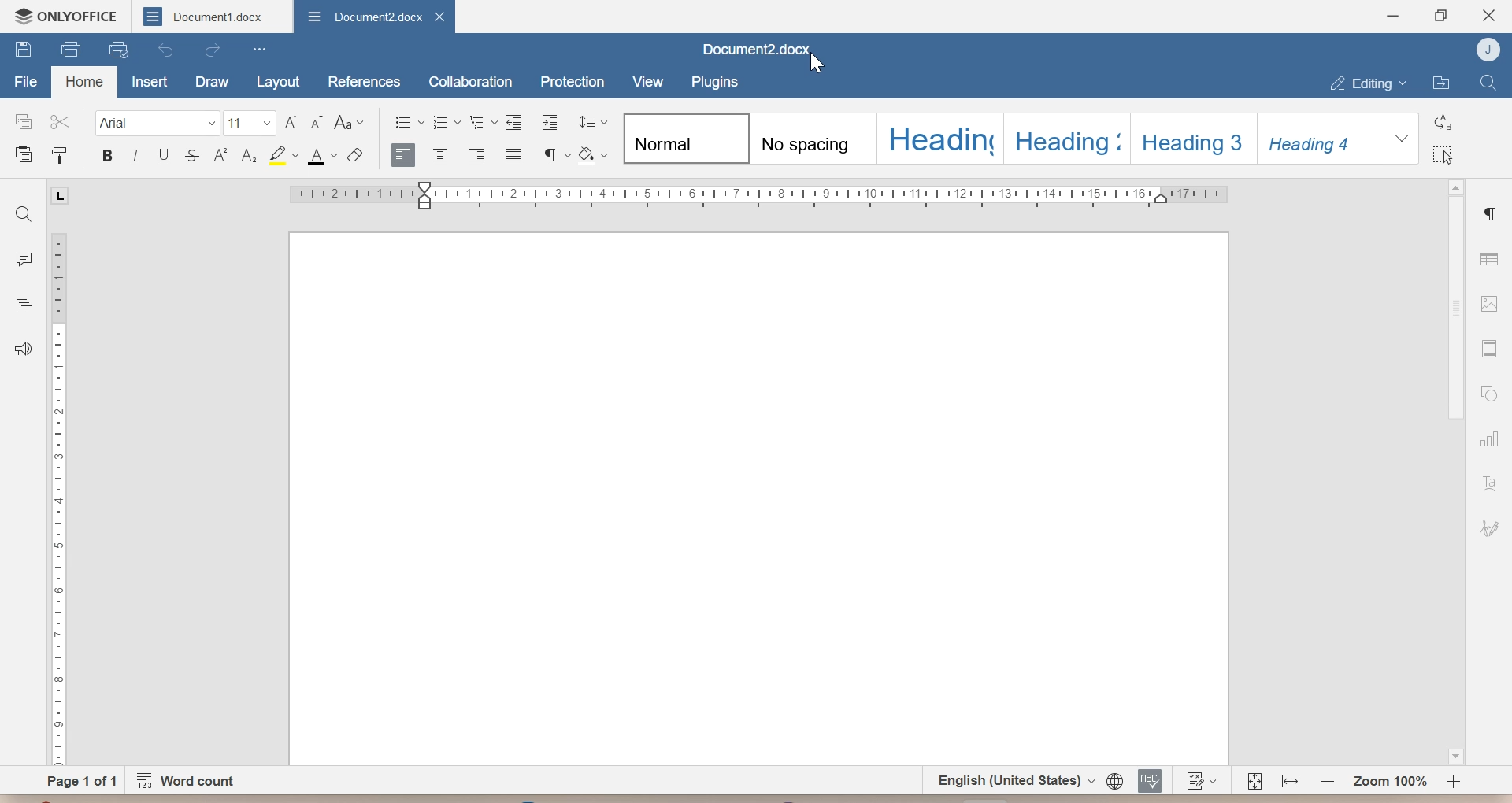 Image resolution: width=1512 pixels, height=803 pixels. What do you see at coordinates (1492, 529) in the screenshot?
I see `Signature` at bounding box center [1492, 529].